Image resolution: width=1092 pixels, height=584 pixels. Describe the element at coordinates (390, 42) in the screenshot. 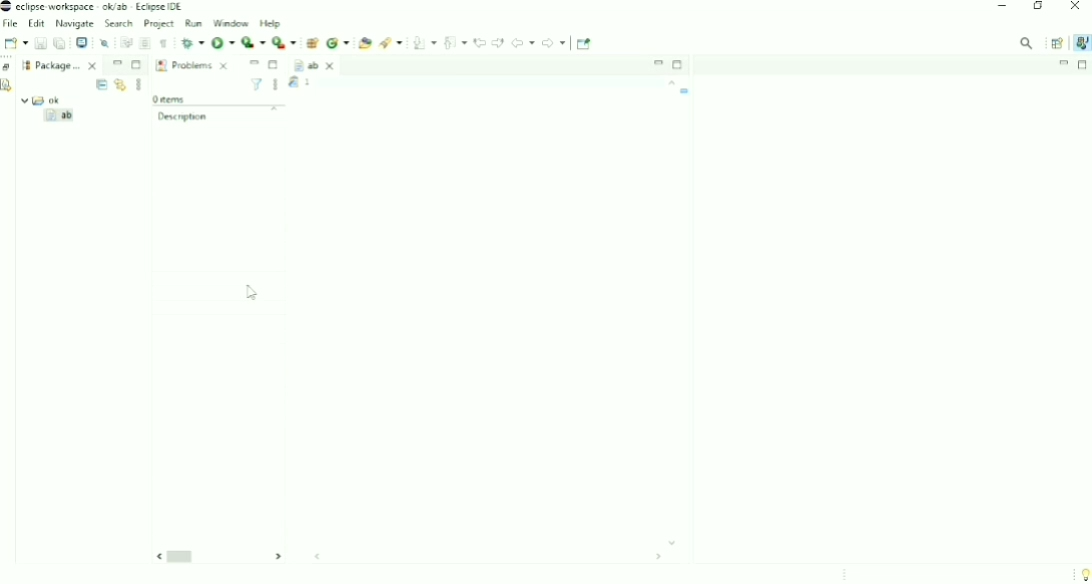

I see `Search` at that location.